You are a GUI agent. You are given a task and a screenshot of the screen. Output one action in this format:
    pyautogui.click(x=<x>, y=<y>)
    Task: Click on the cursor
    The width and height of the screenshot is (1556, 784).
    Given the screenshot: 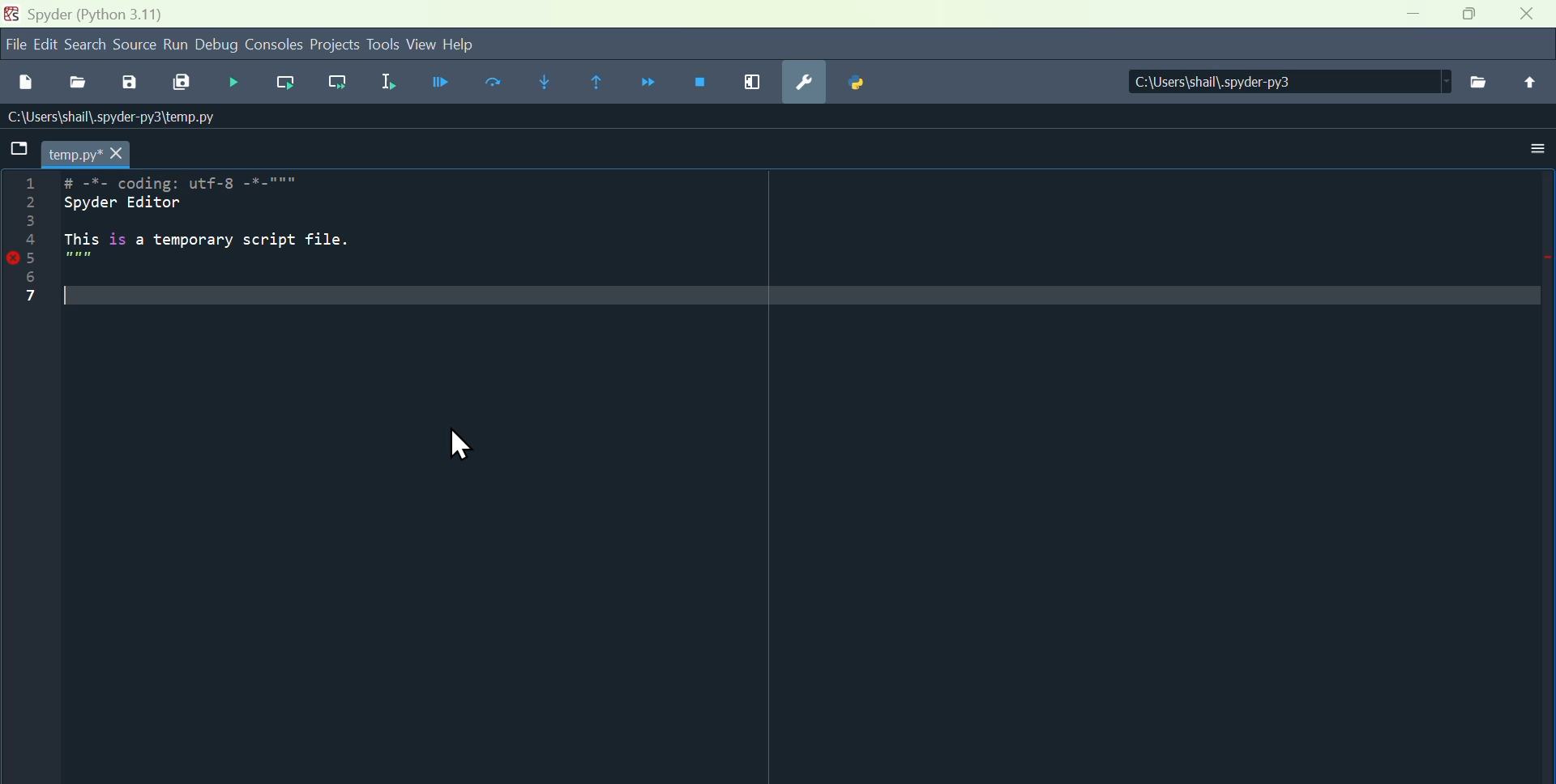 What is the action you would take?
    pyautogui.click(x=455, y=445)
    